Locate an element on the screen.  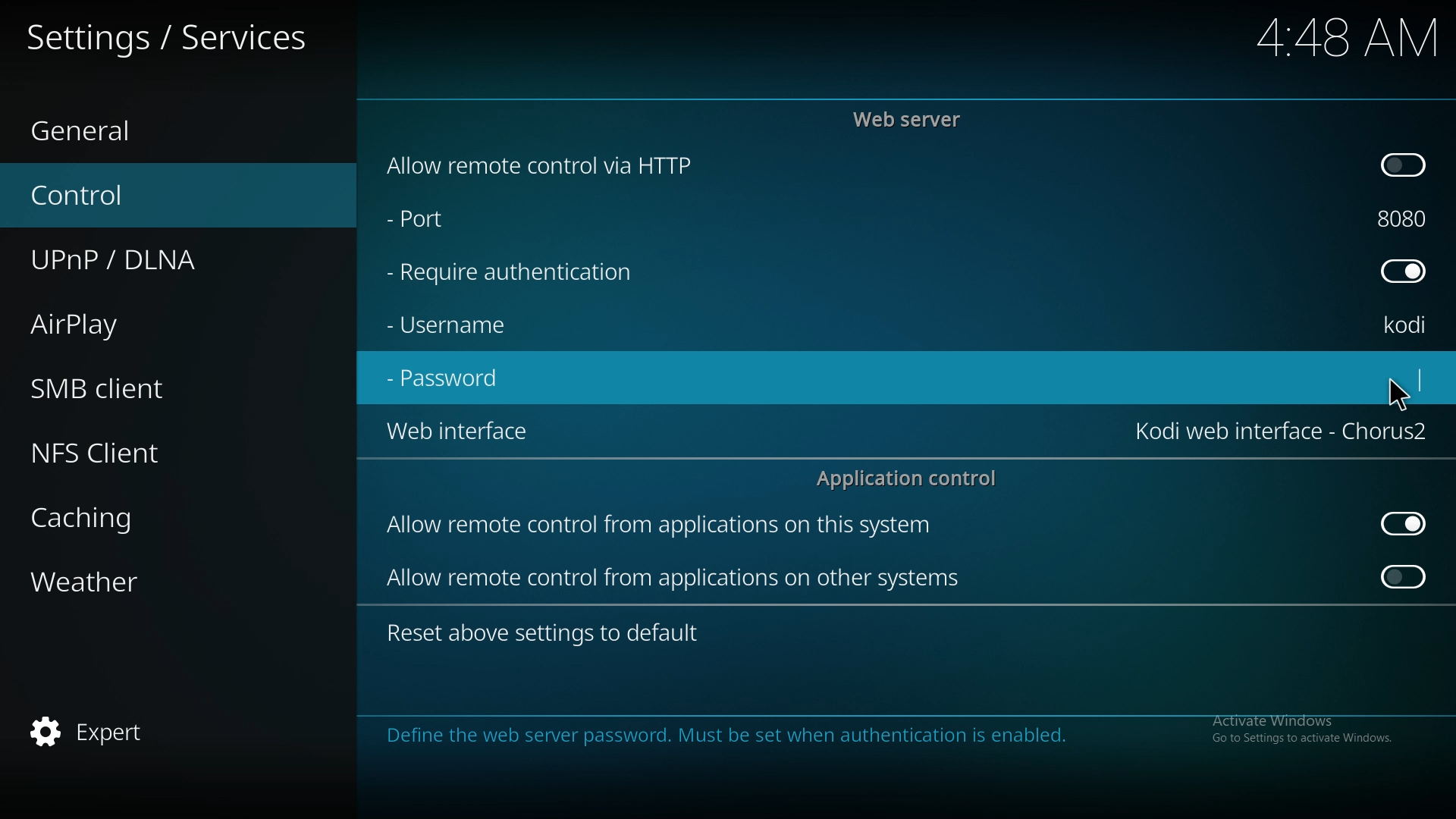
 is located at coordinates (1327, 37).